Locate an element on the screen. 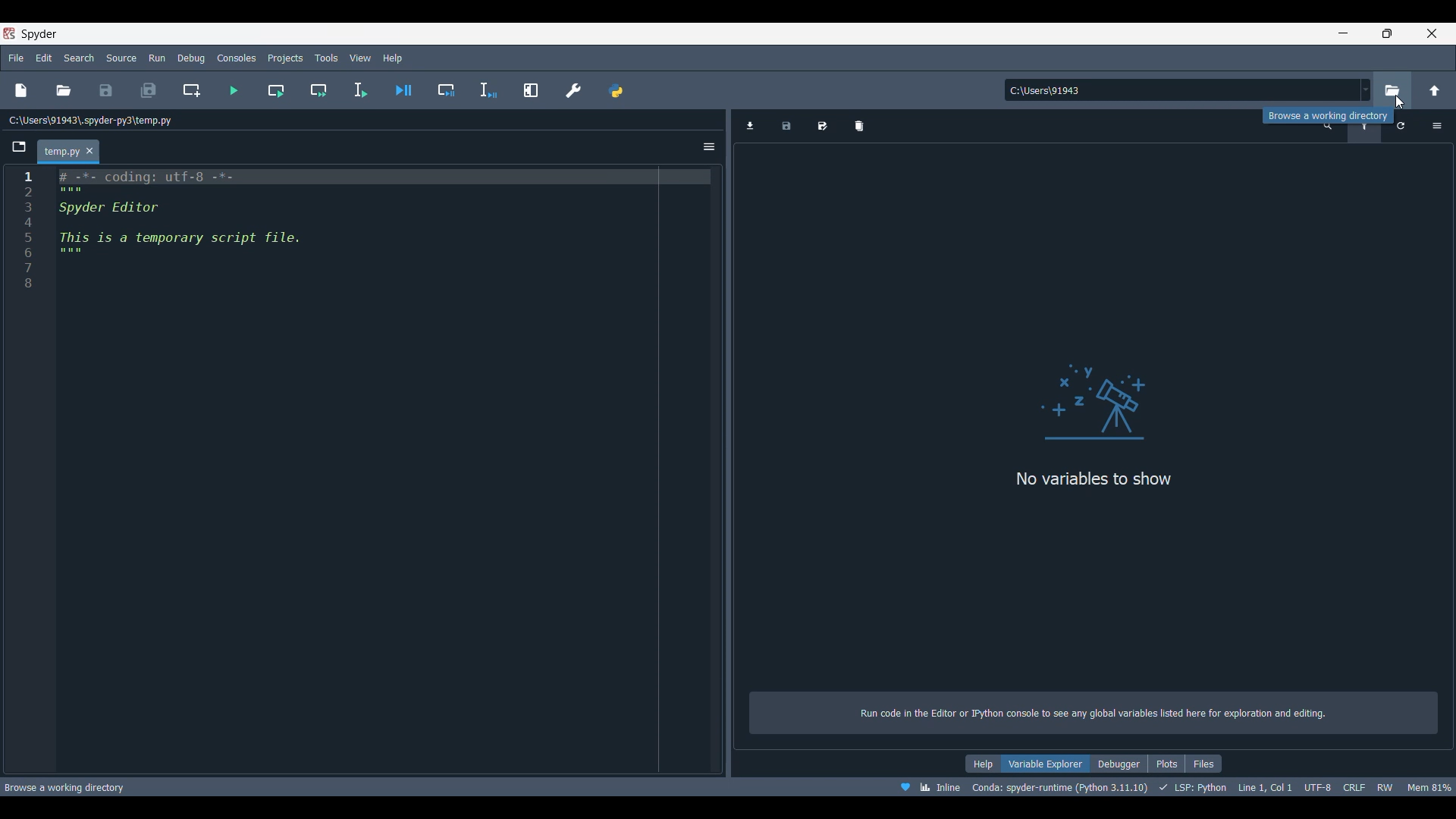  Description of current selection is located at coordinates (67, 787).